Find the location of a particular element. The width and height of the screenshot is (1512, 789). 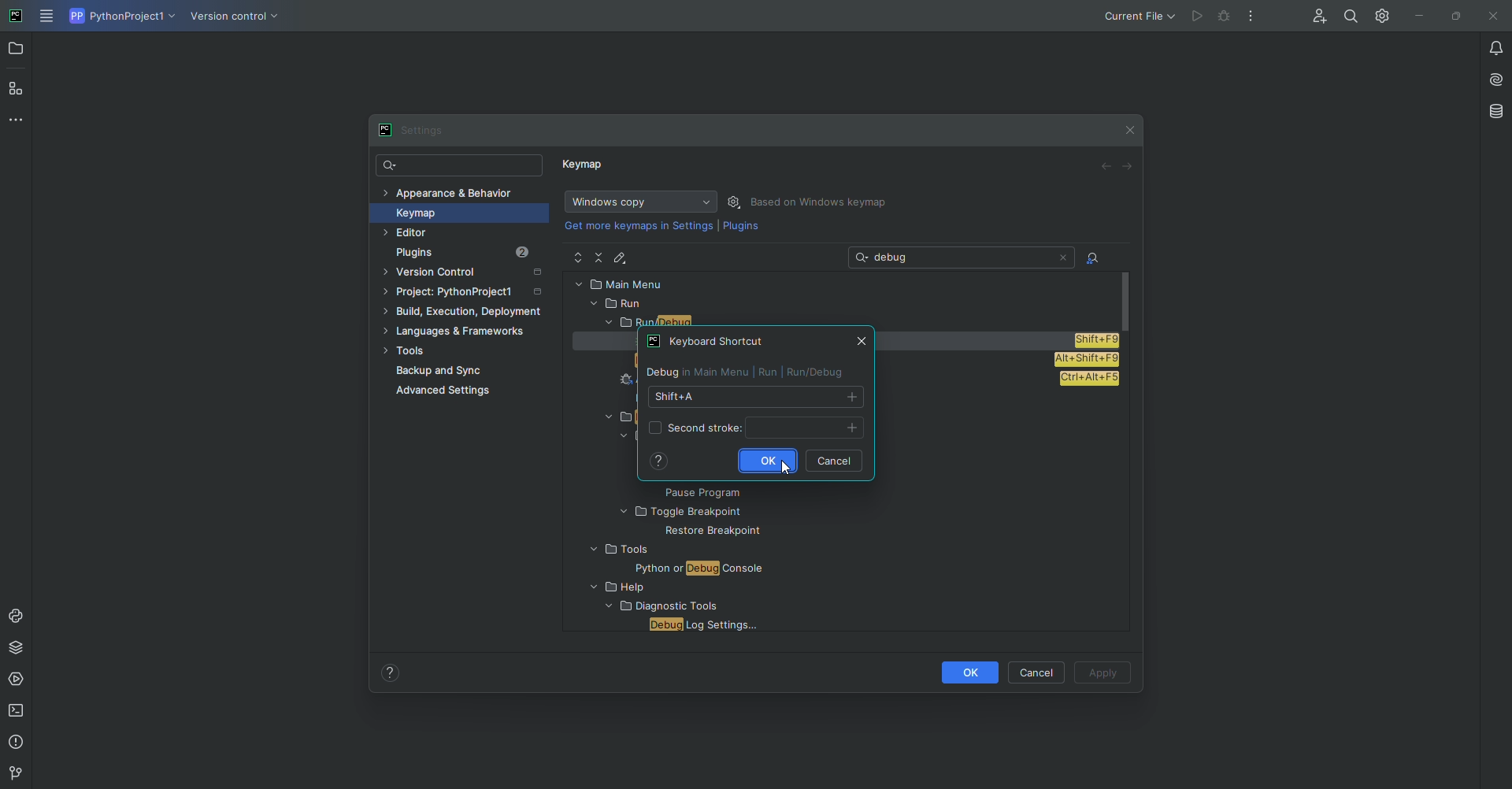

More Tools is located at coordinates (20, 119).